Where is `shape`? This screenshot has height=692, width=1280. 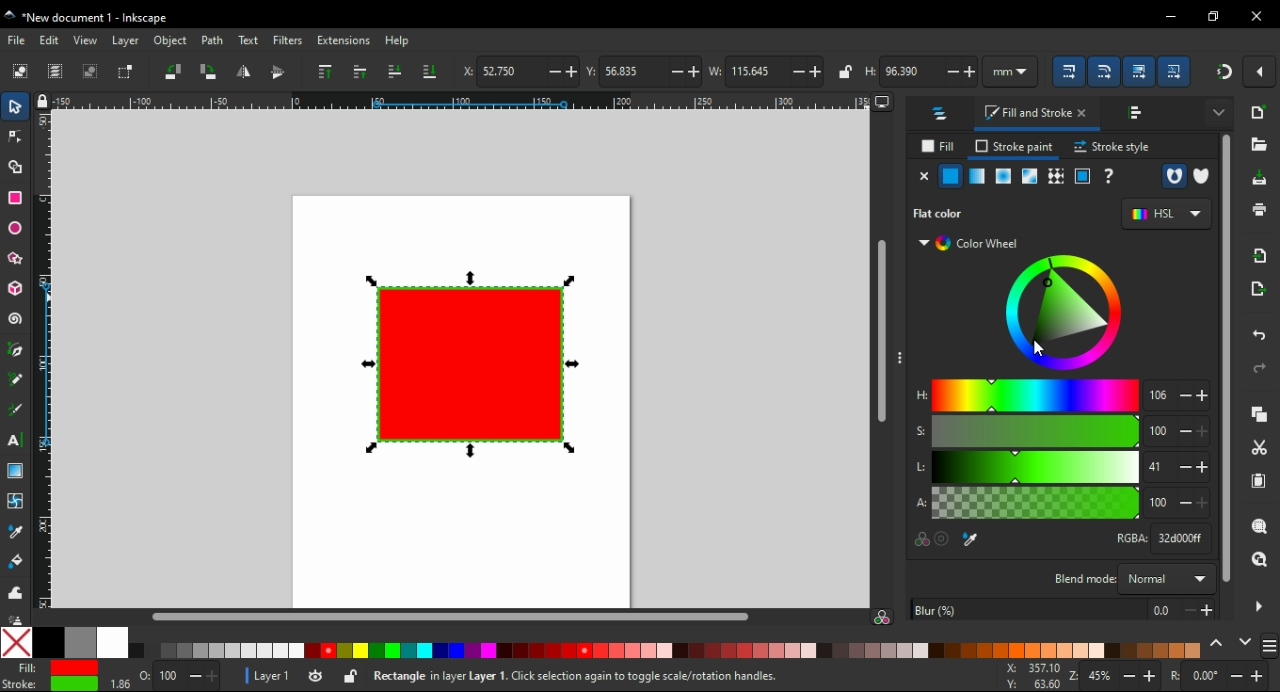 shape is located at coordinates (468, 363).